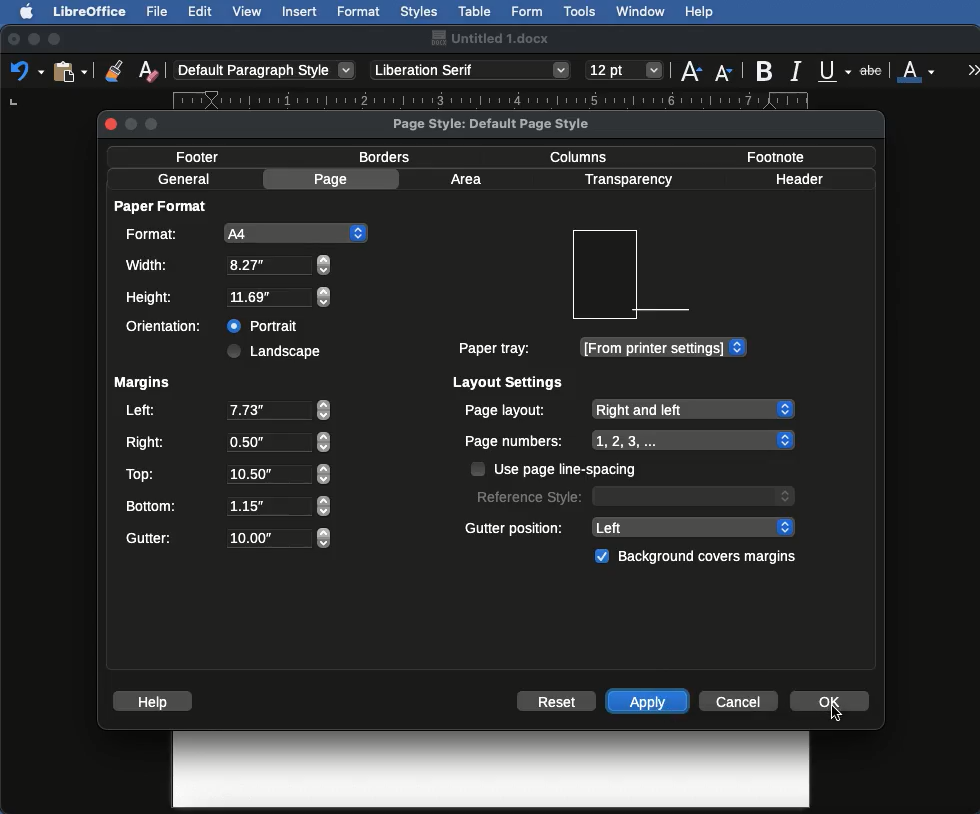 This screenshot has height=814, width=980. I want to click on Right, so click(226, 443).